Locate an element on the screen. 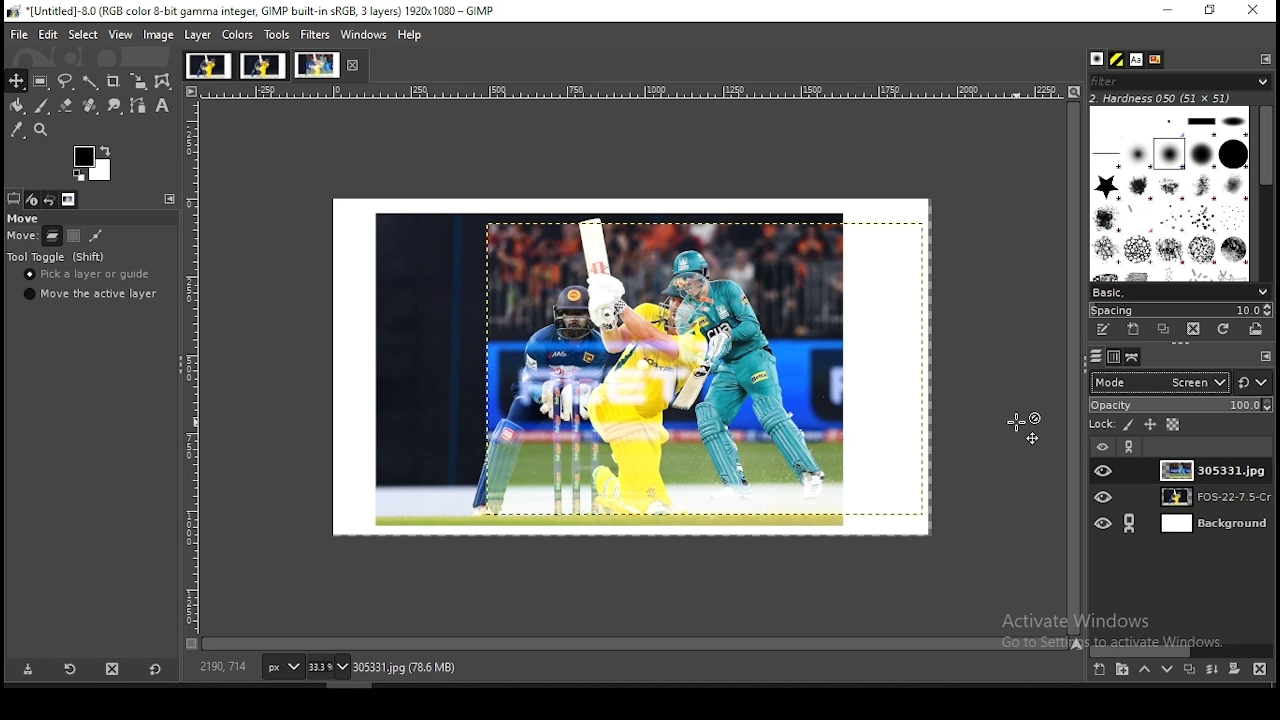 This screenshot has width=1280, height=720. rectangular selection tool is located at coordinates (40, 80).